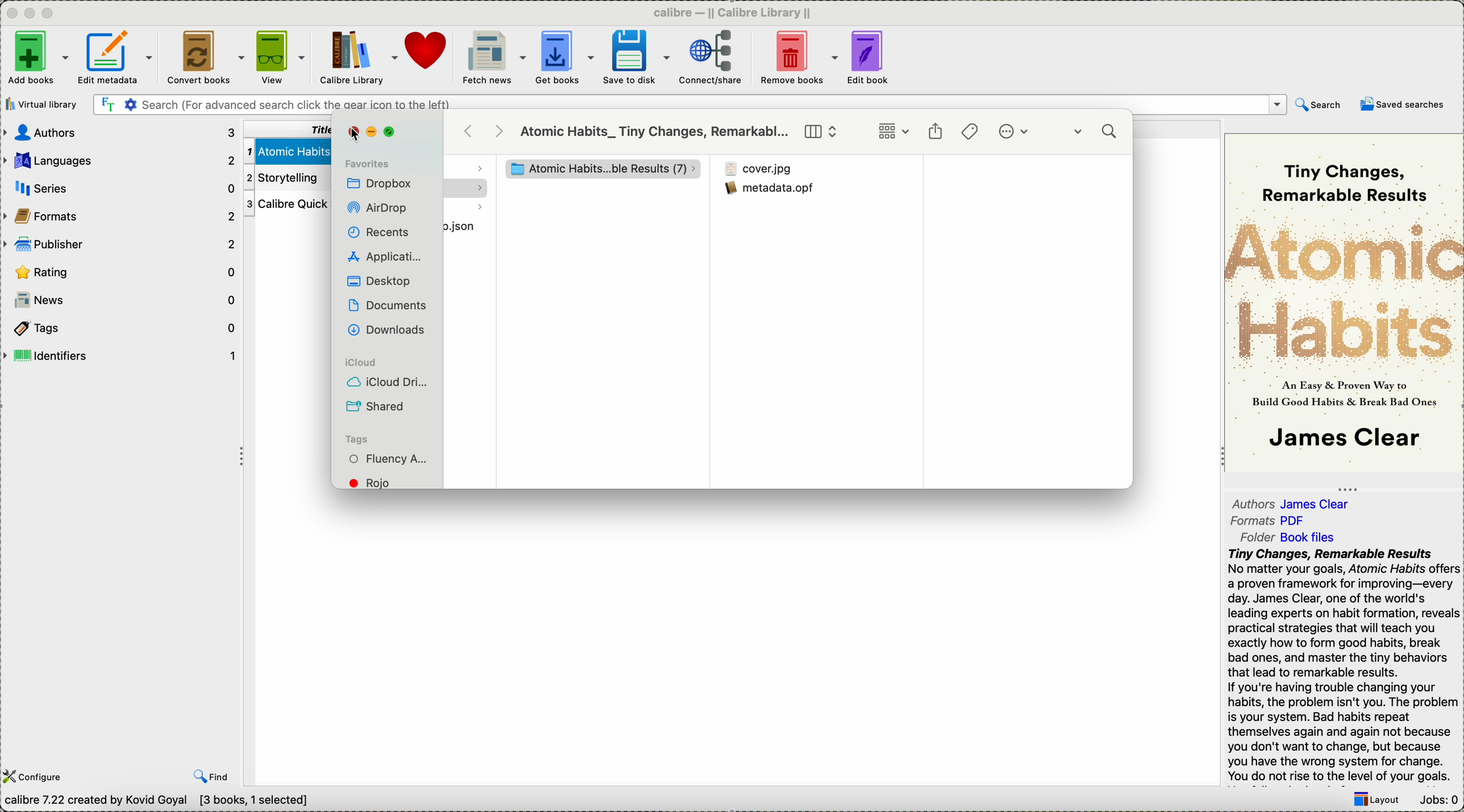 The image size is (1464, 812). I want to click on Downloads, so click(384, 328).